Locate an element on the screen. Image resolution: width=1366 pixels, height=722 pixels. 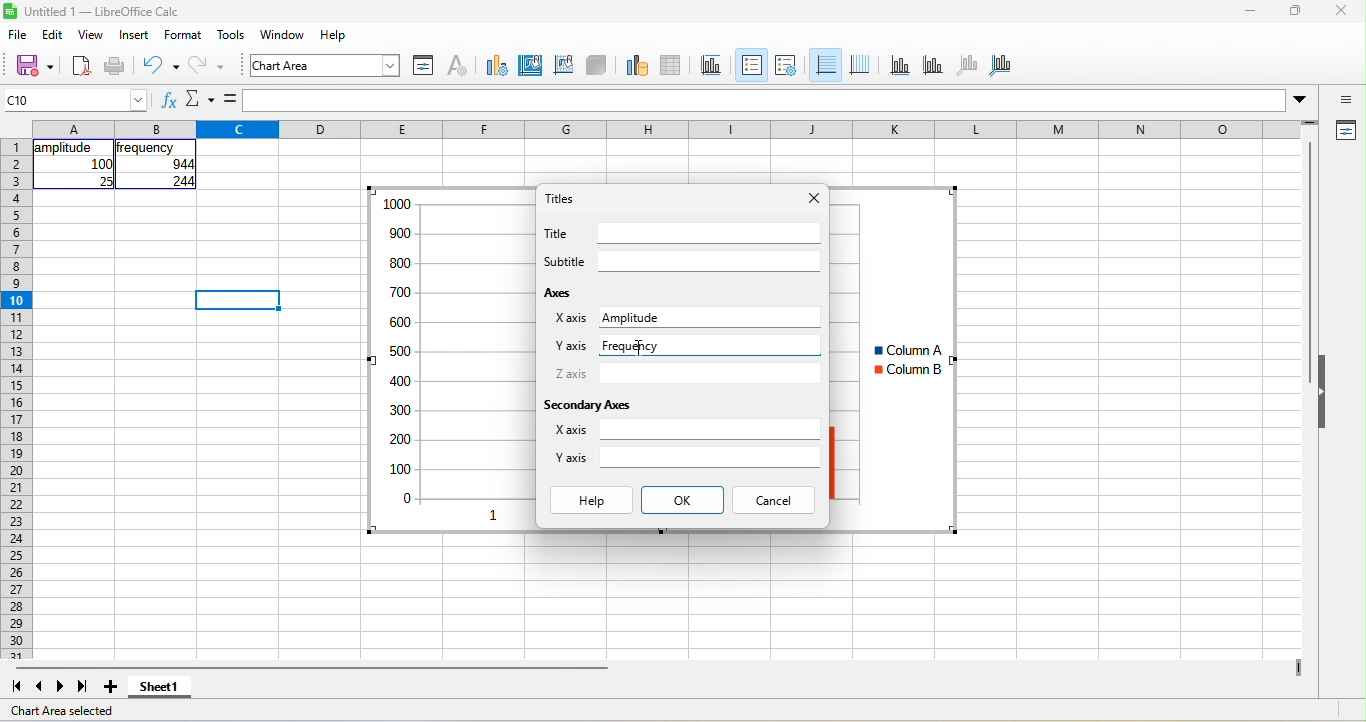
last sheet is located at coordinates (83, 687).